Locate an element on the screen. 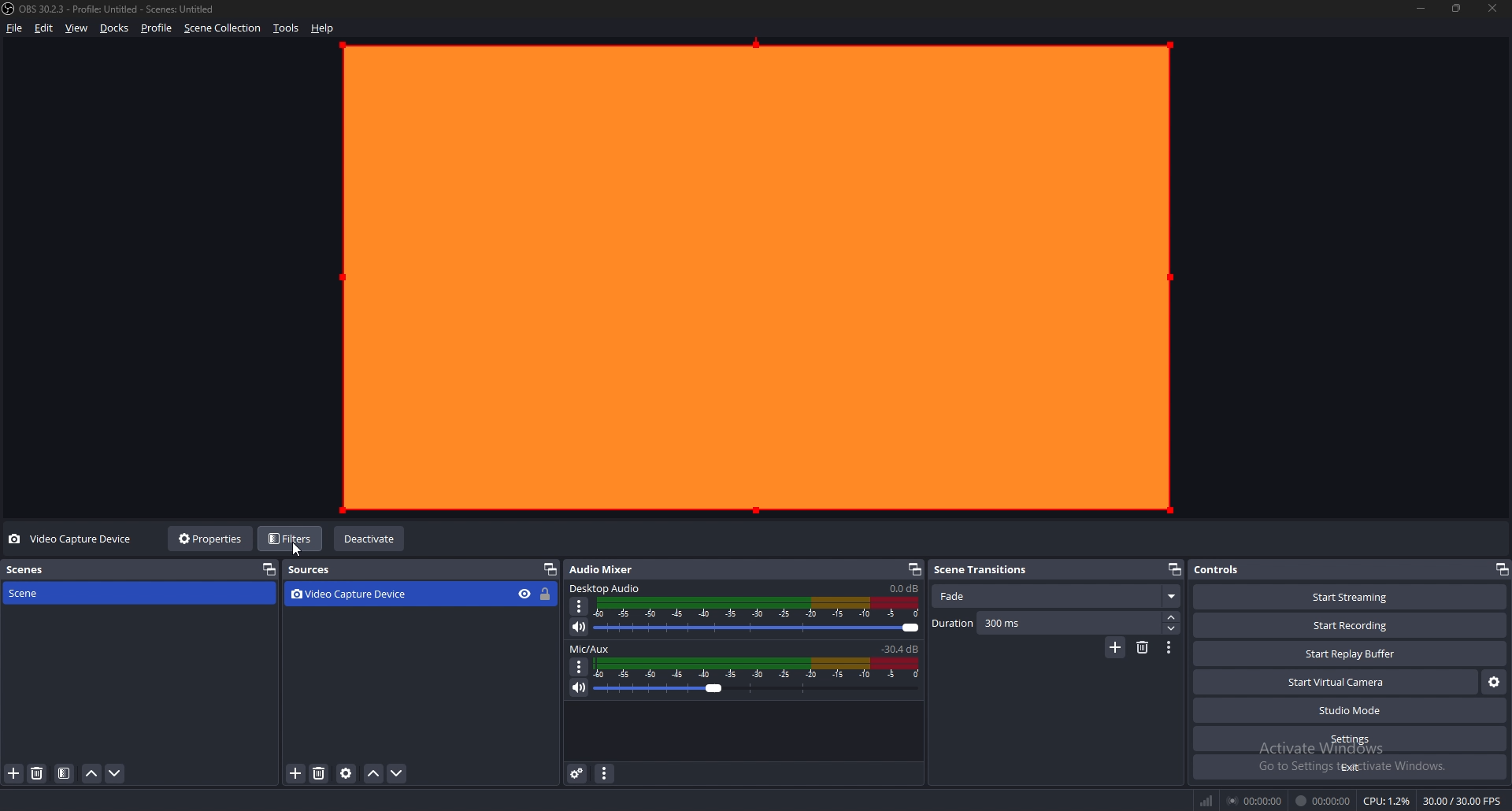 The width and height of the screenshot is (1512, 811). transition properties is located at coordinates (1168, 647).